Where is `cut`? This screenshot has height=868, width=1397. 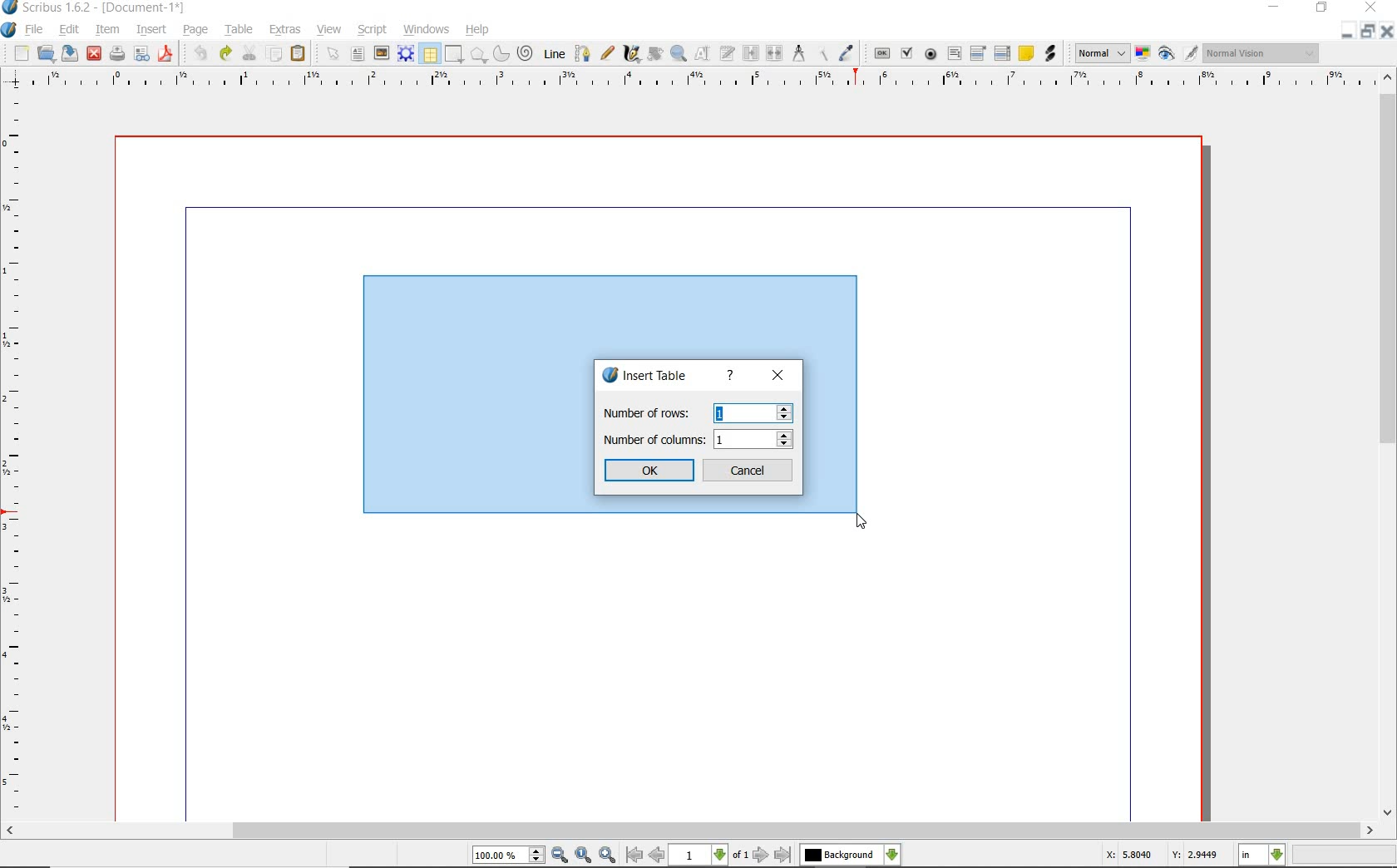 cut is located at coordinates (251, 52).